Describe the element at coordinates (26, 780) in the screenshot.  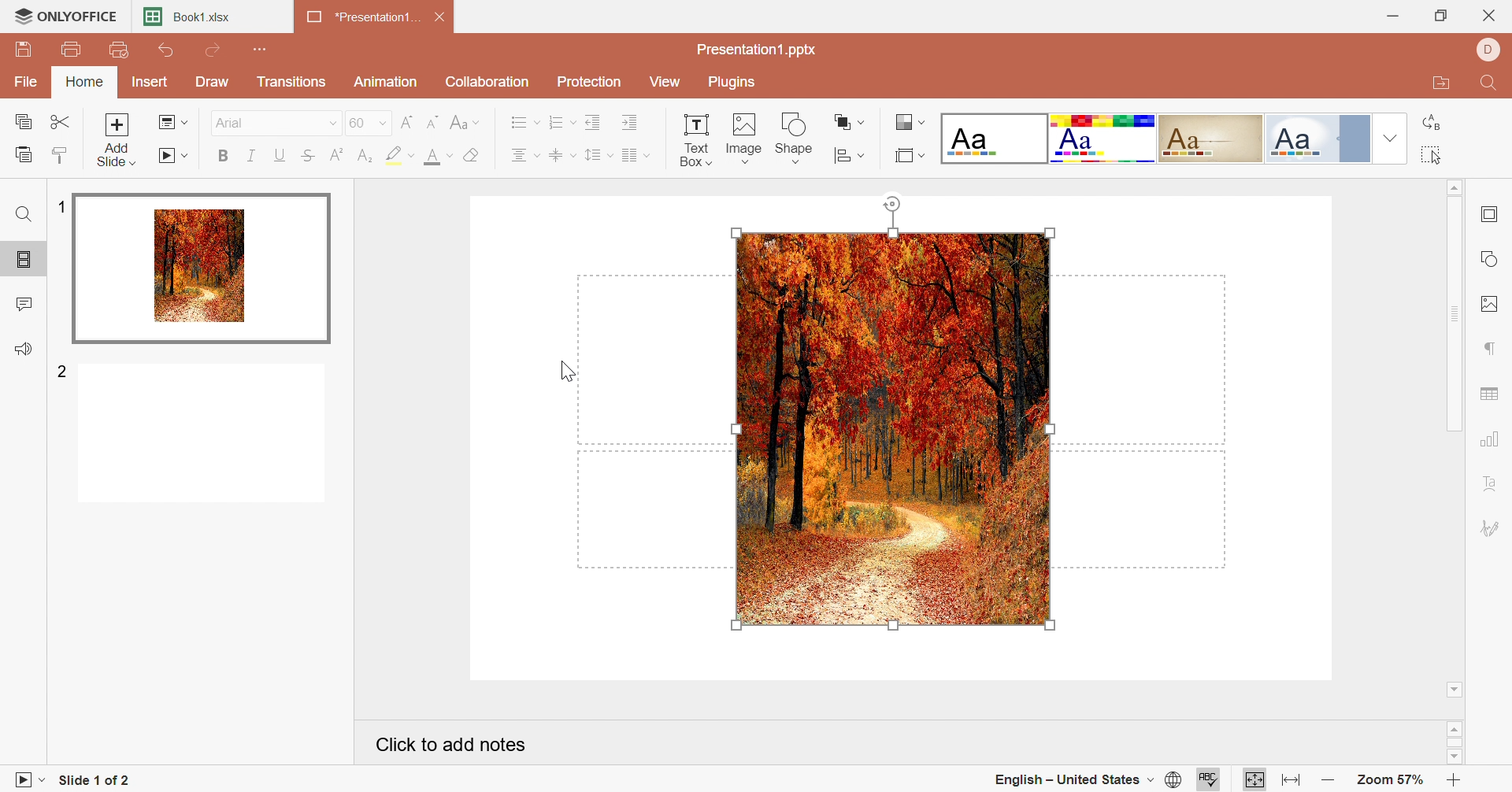
I see `Start slideshow` at that location.